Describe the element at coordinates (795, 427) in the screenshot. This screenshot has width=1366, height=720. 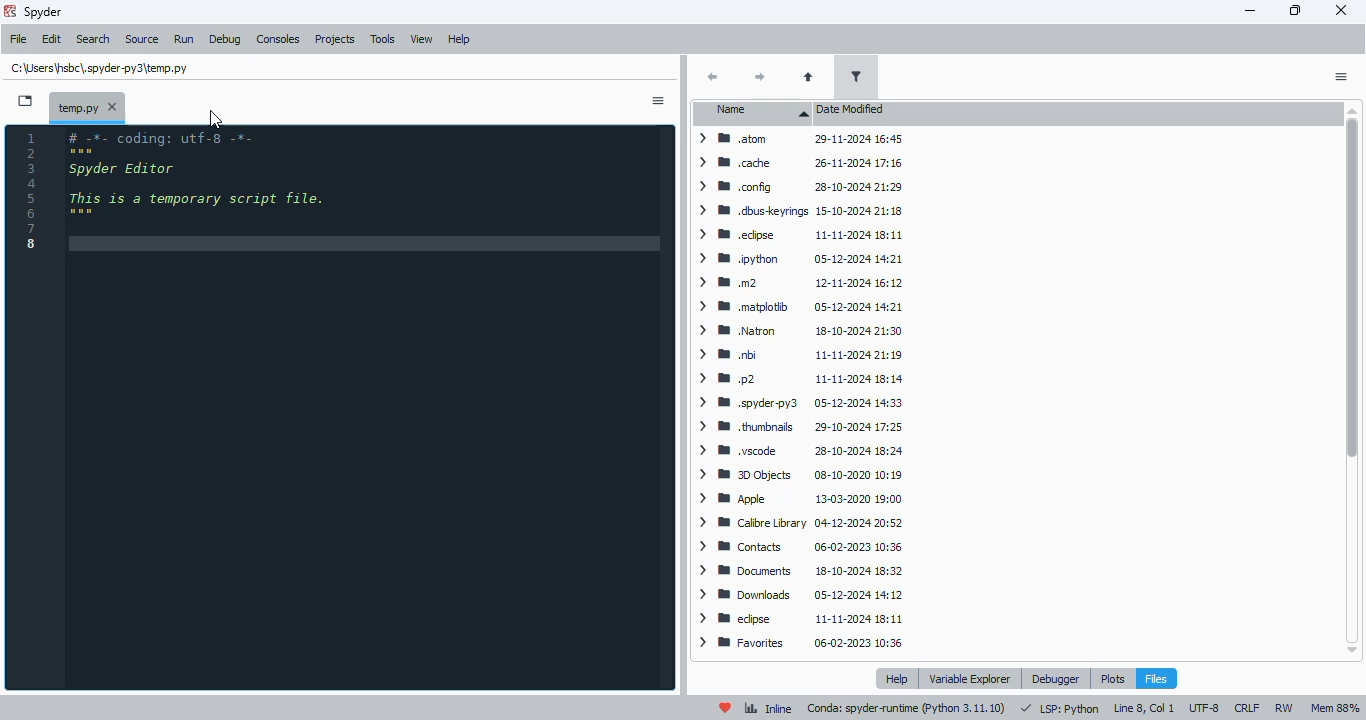
I see `> thumbnails 29-10-2024 17:25` at that location.